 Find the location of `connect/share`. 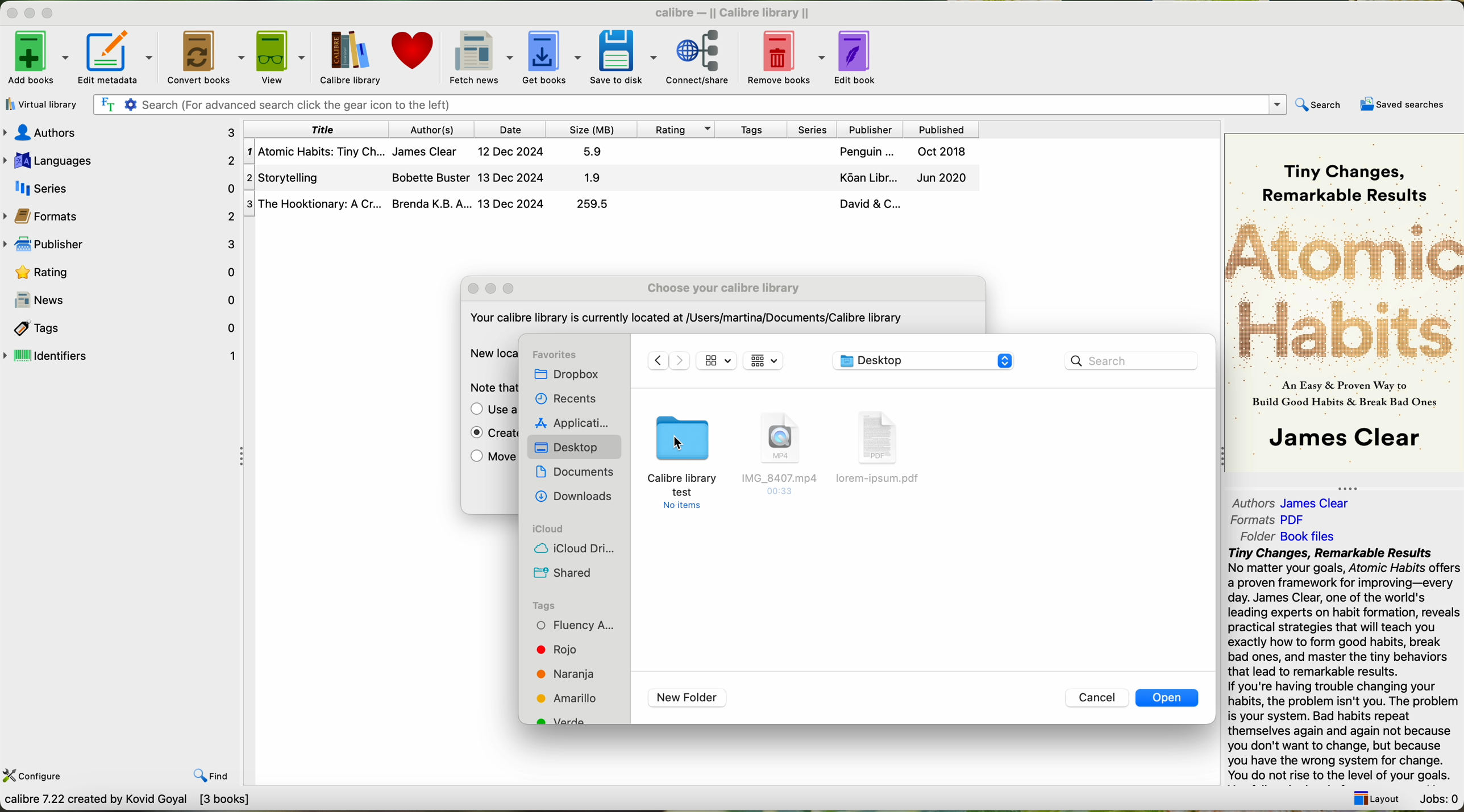

connect/share is located at coordinates (705, 56).